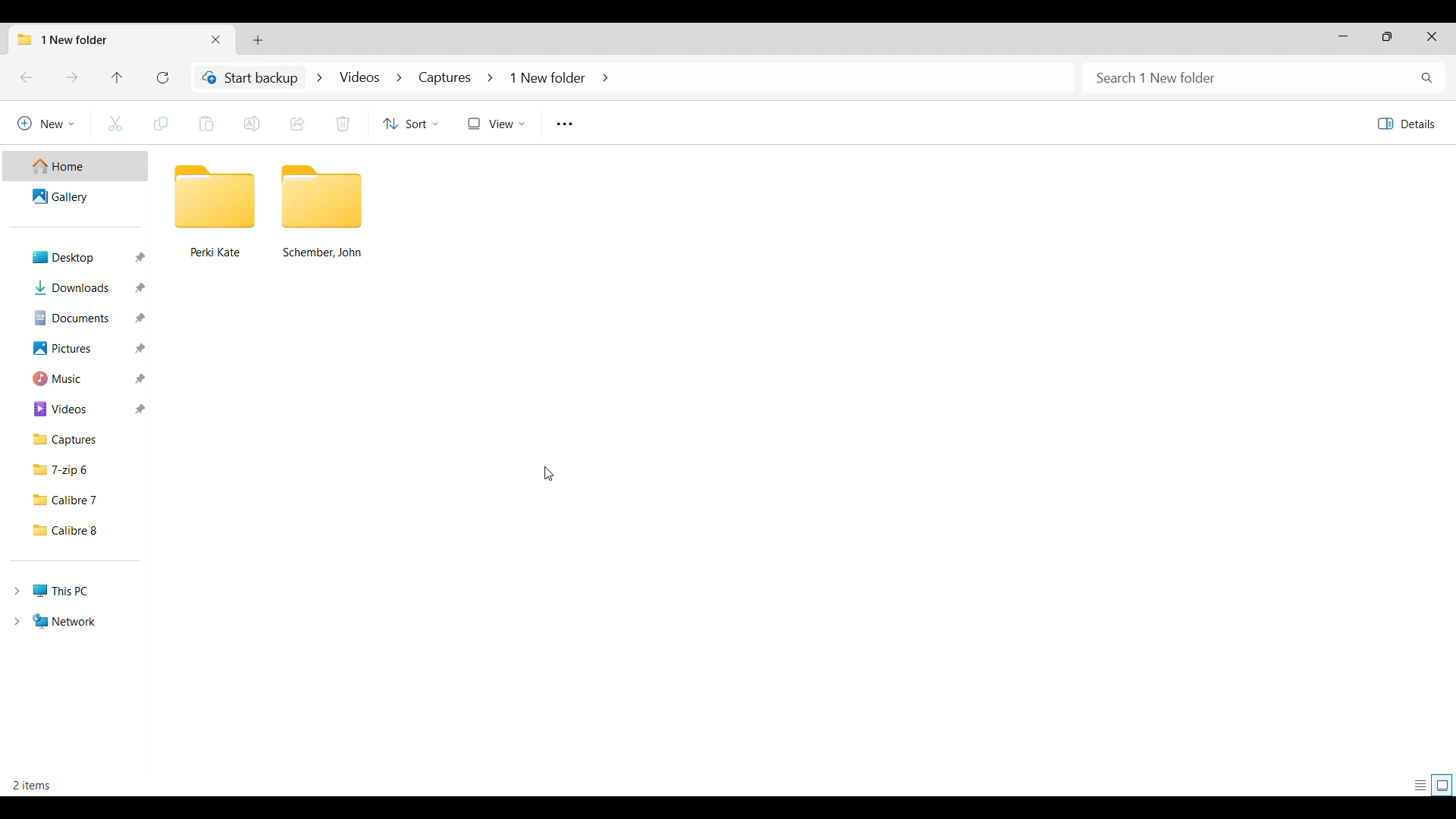 The image size is (1456, 819). Describe the element at coordinates (77, 287) in the screenshot. I see `Downloads` at that location.